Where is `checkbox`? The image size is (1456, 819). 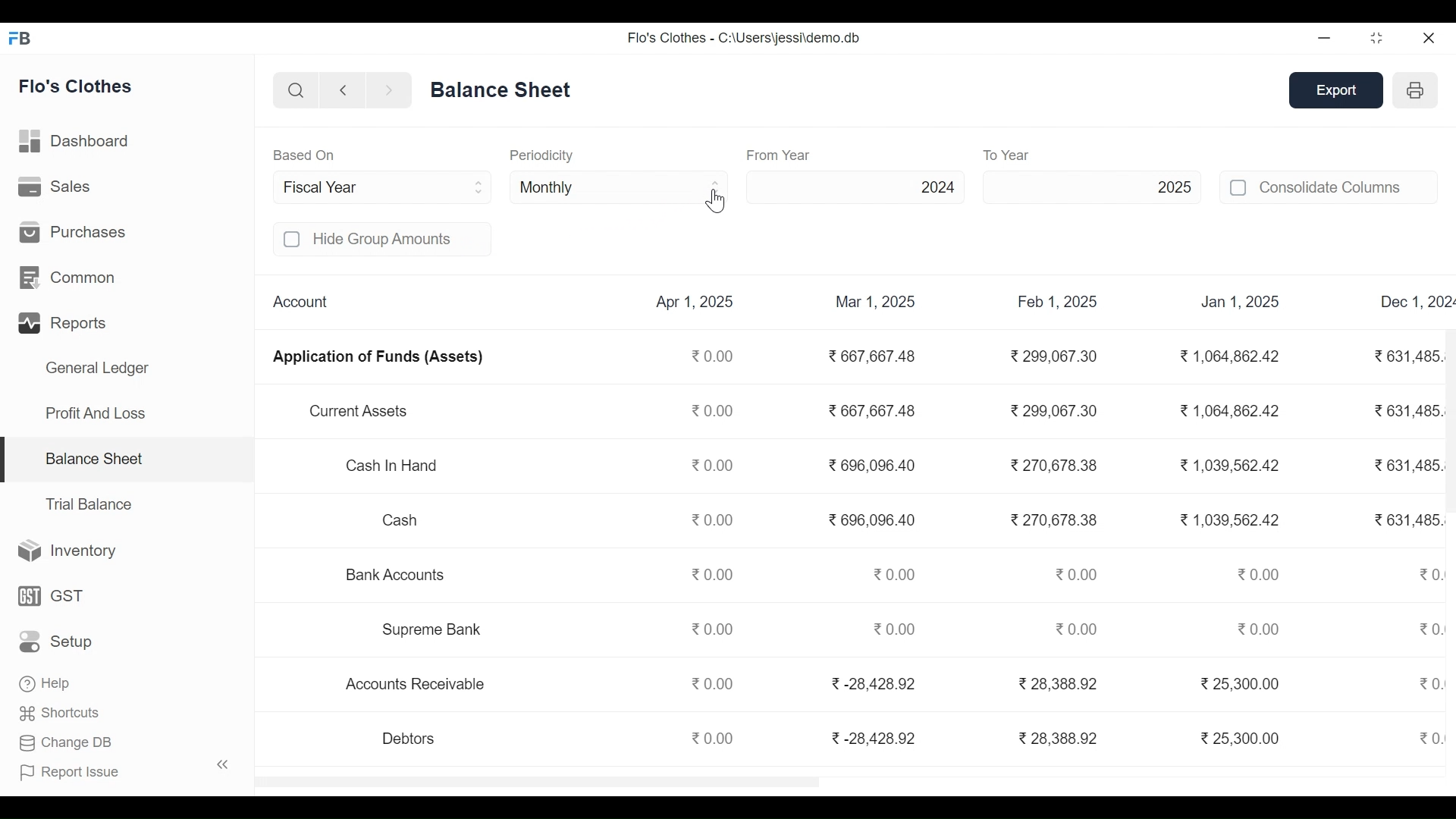
checkbox is located at coordinates (293, 240).